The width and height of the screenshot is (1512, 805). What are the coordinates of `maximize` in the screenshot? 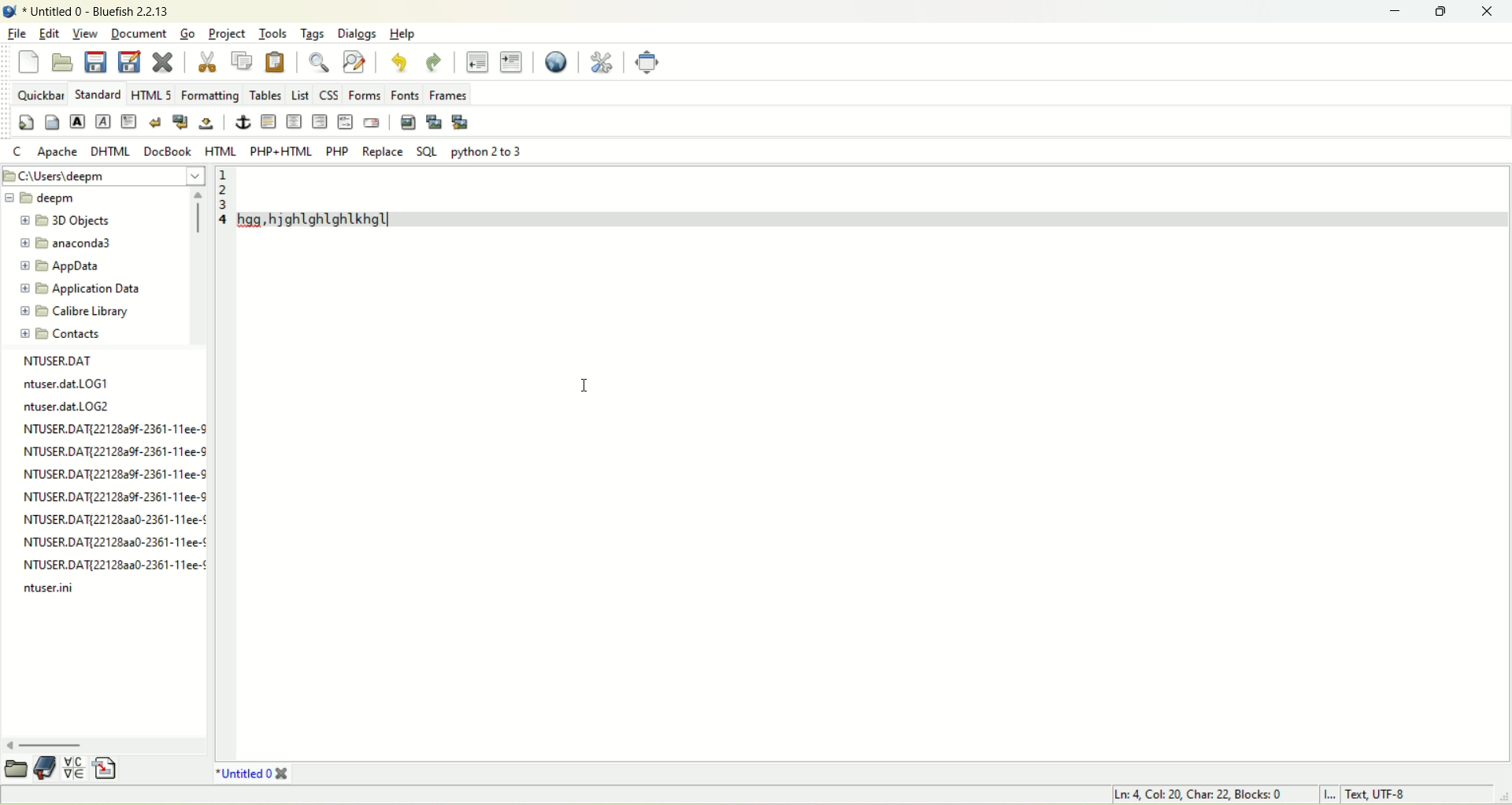 It's located at (1445, 13).